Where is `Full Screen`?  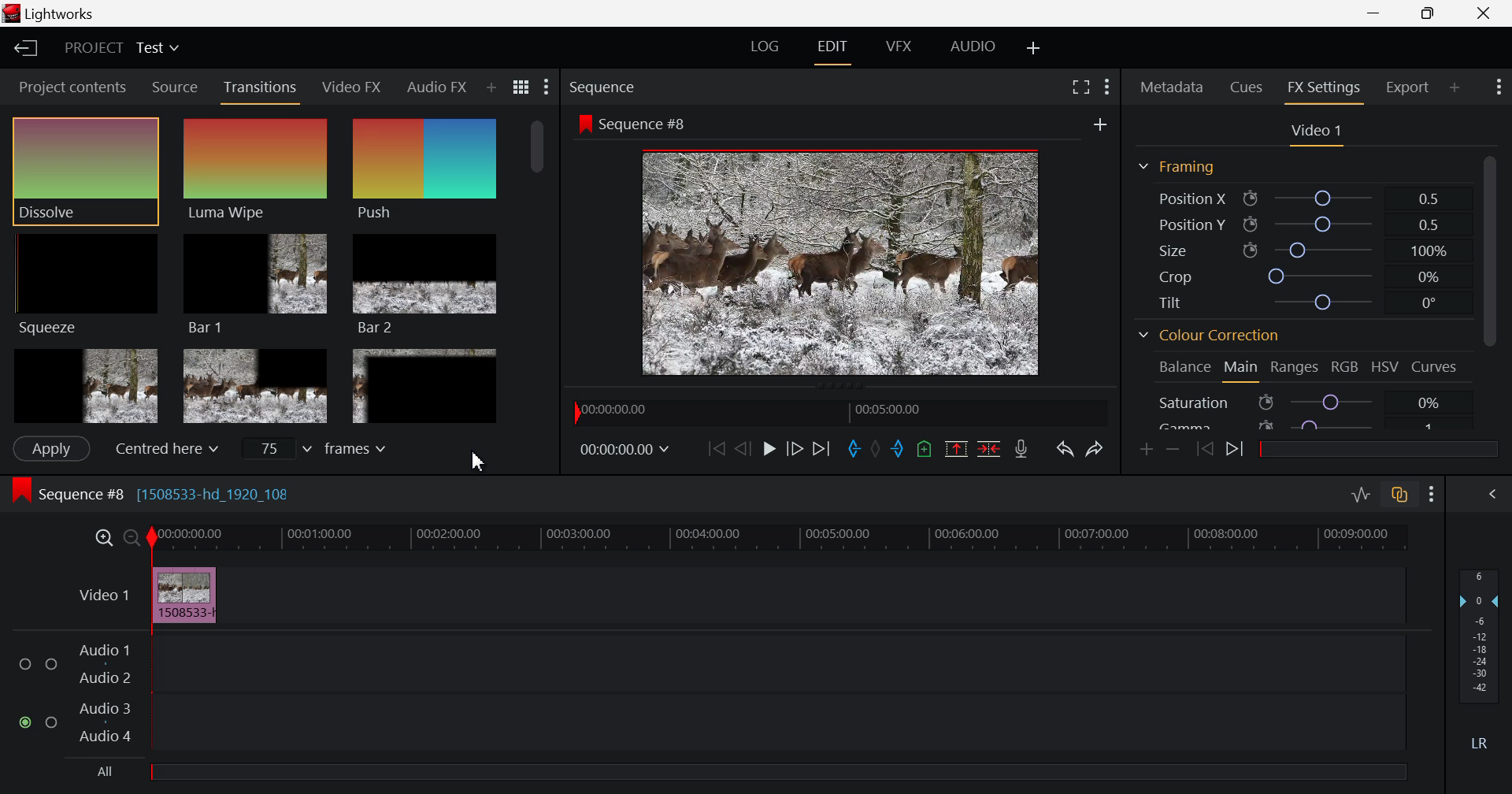
Full Screen is located at coordinates (1080, 88).